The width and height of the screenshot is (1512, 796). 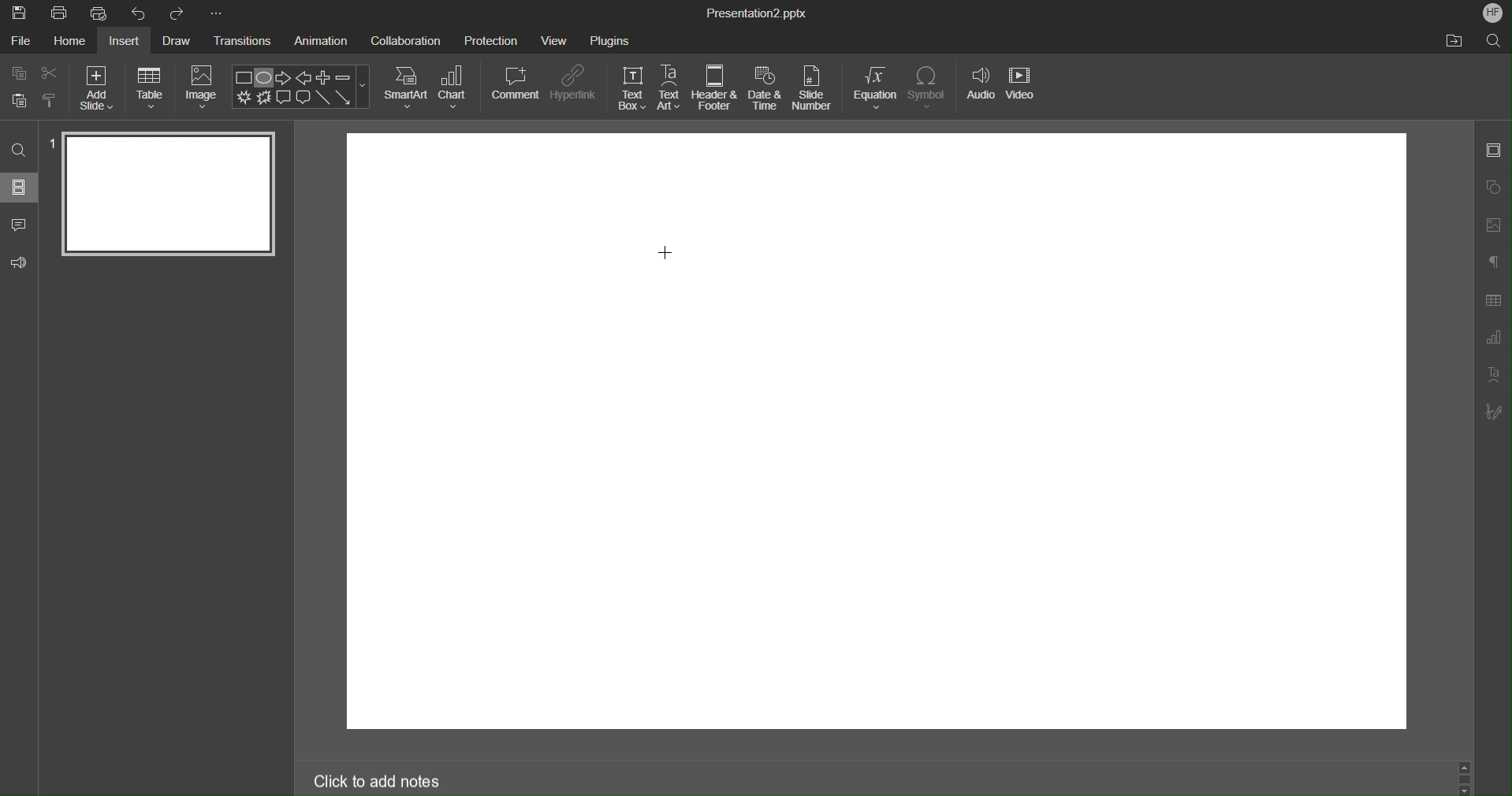 What do you see at coordinates (406, 39) in the screenshot?
I see `Collaboration` at bounding box center [406, 39].